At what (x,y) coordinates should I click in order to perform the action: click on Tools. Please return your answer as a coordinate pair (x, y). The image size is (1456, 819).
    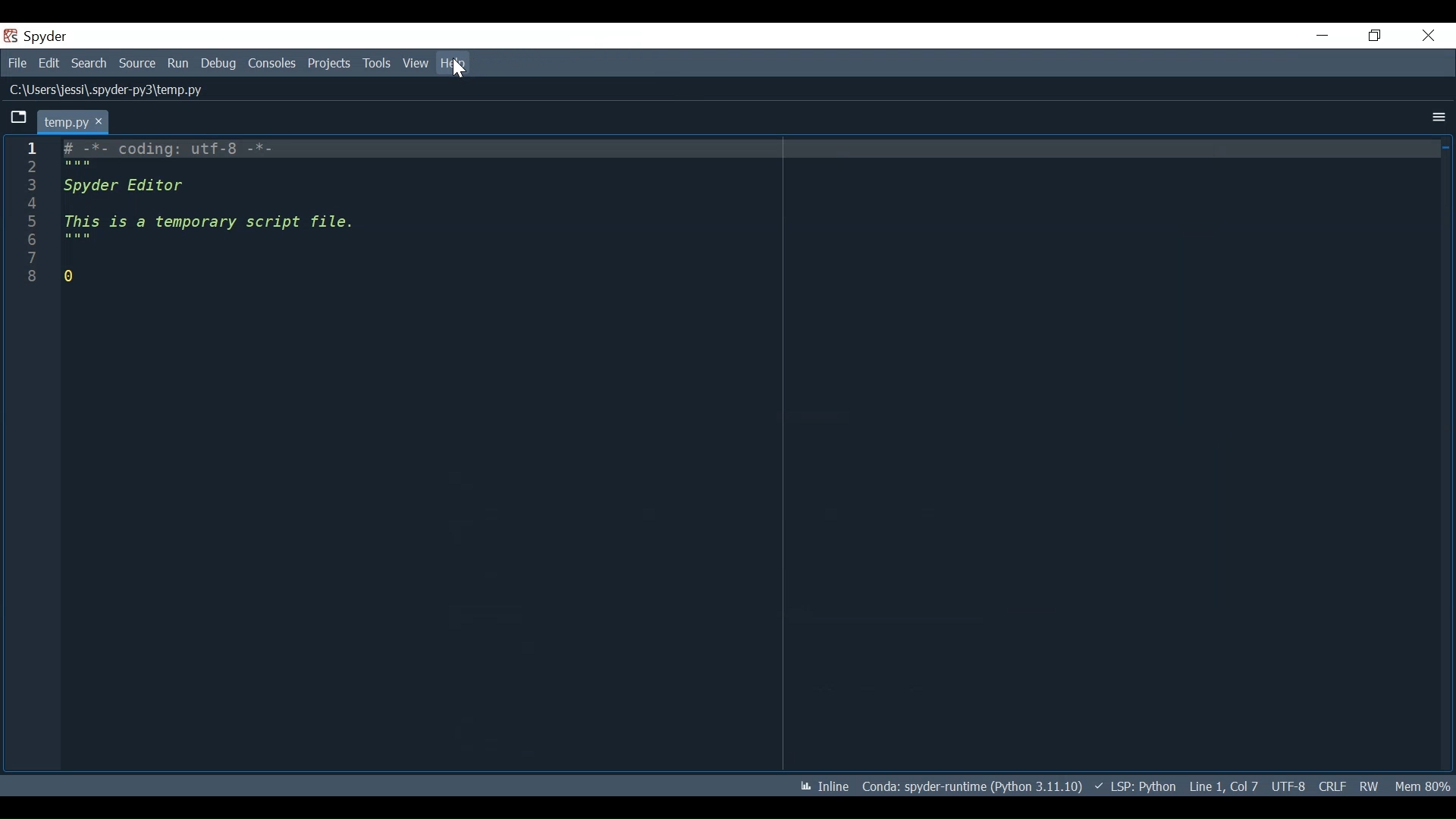
    Looking at the image, I should click on (378, 64).